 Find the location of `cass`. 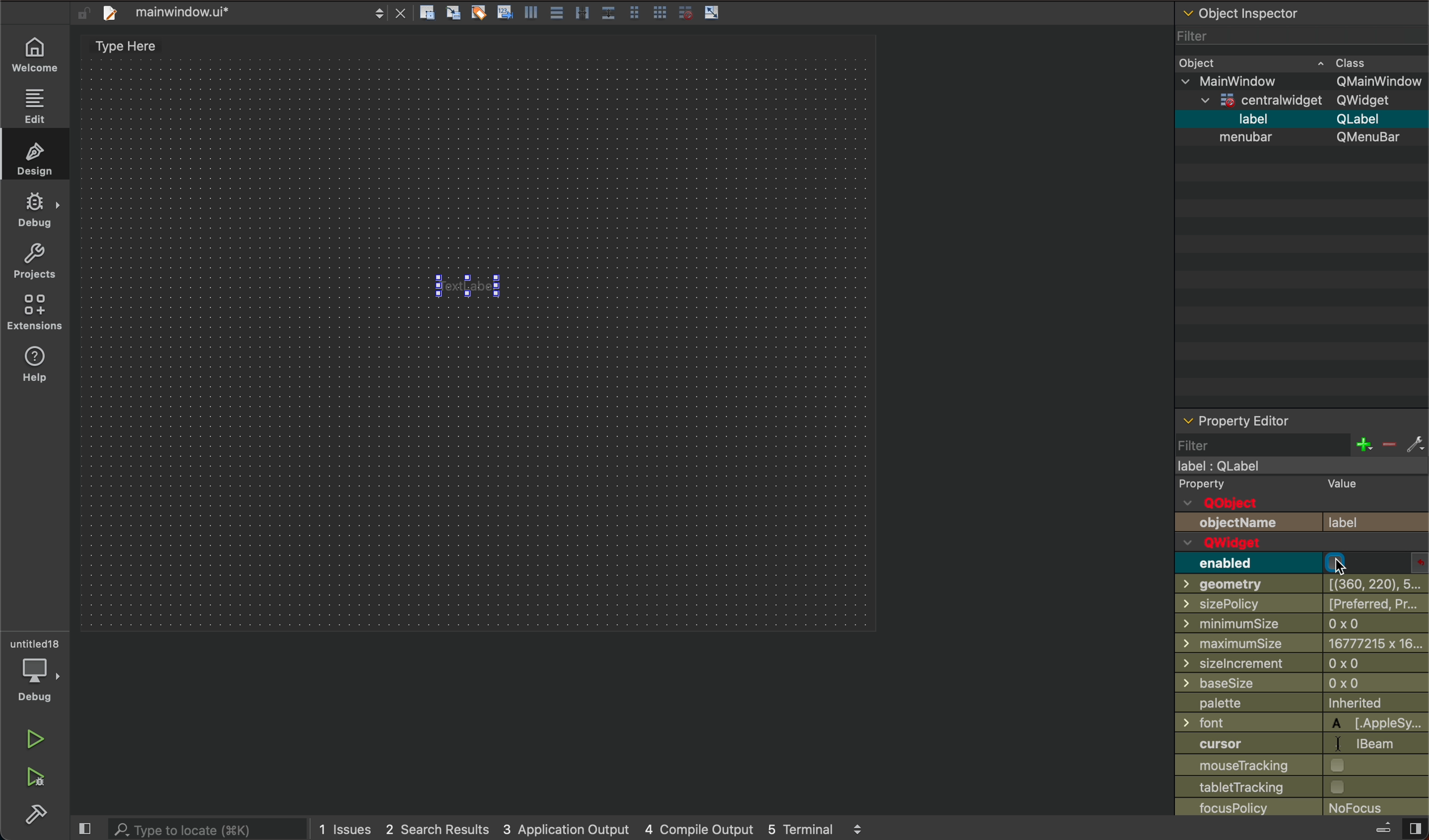

cass is located at coordinates (1359, 60).